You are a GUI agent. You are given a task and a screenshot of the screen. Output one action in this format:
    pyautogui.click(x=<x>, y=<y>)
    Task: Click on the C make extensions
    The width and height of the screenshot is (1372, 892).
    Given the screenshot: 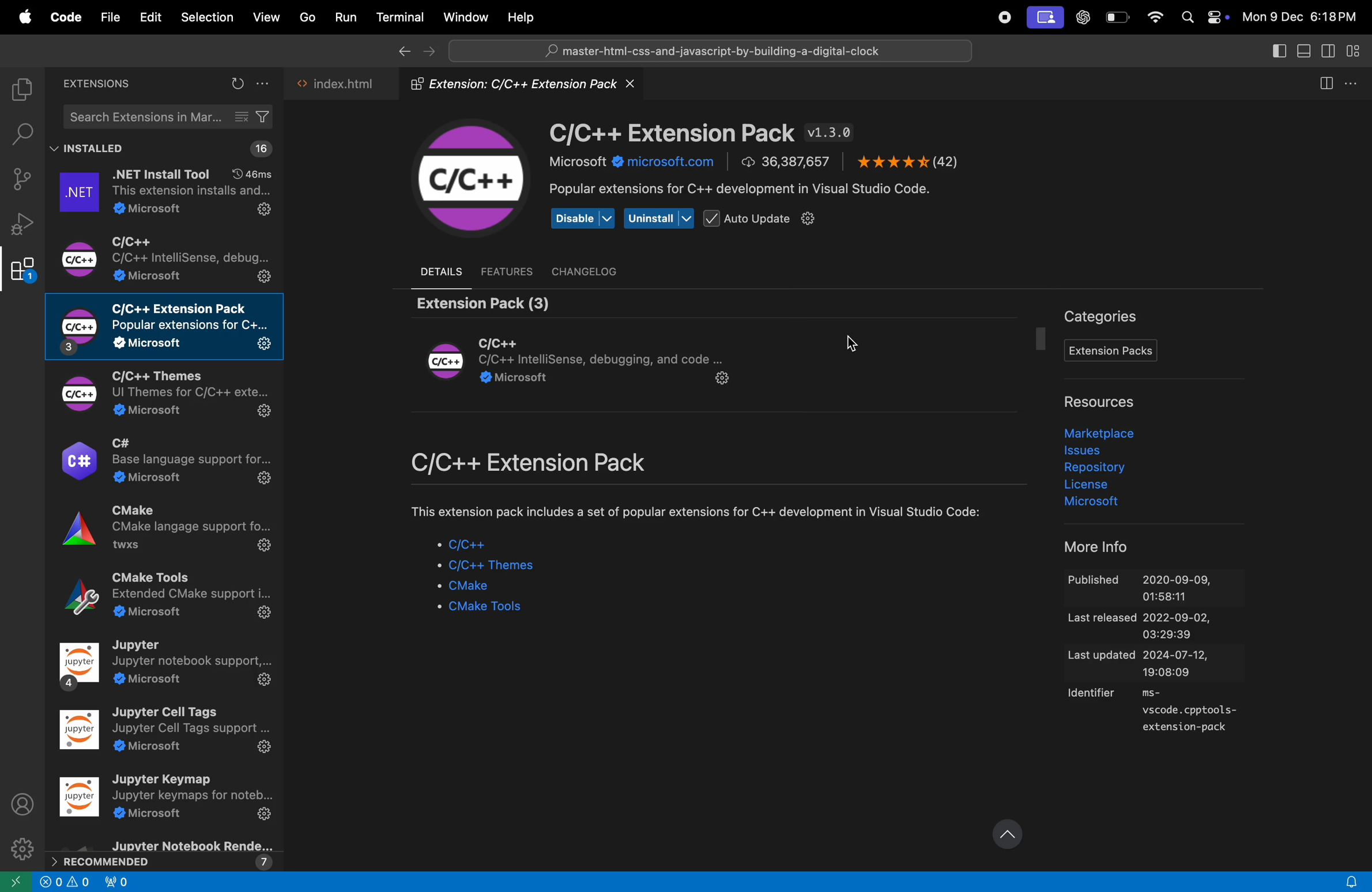 What is the action you would take?
    pyautogui.click(x=164, y=535)
    